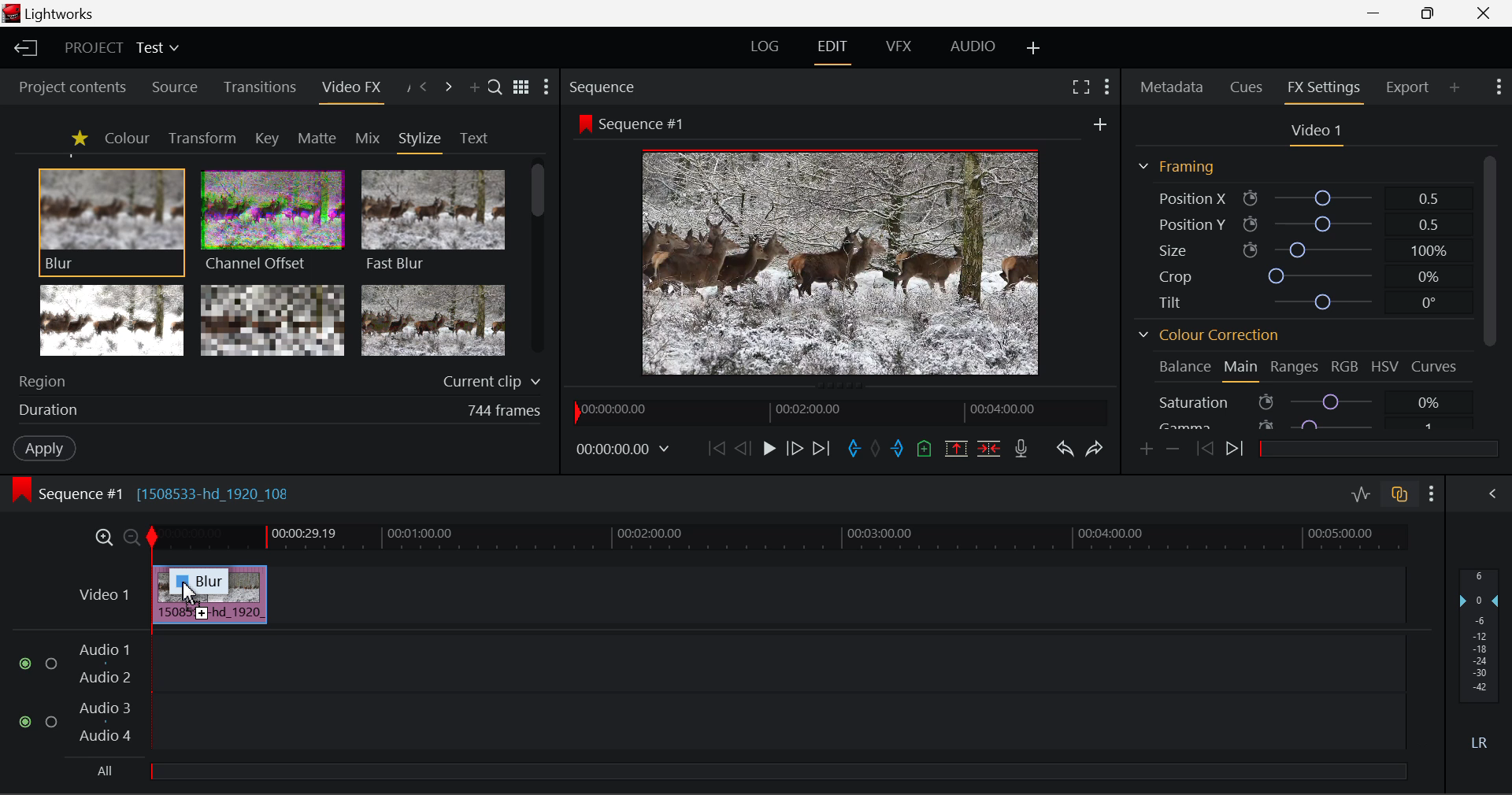 The image size is (1512, 795). I want to click on Show Settings, so click(550, 87).